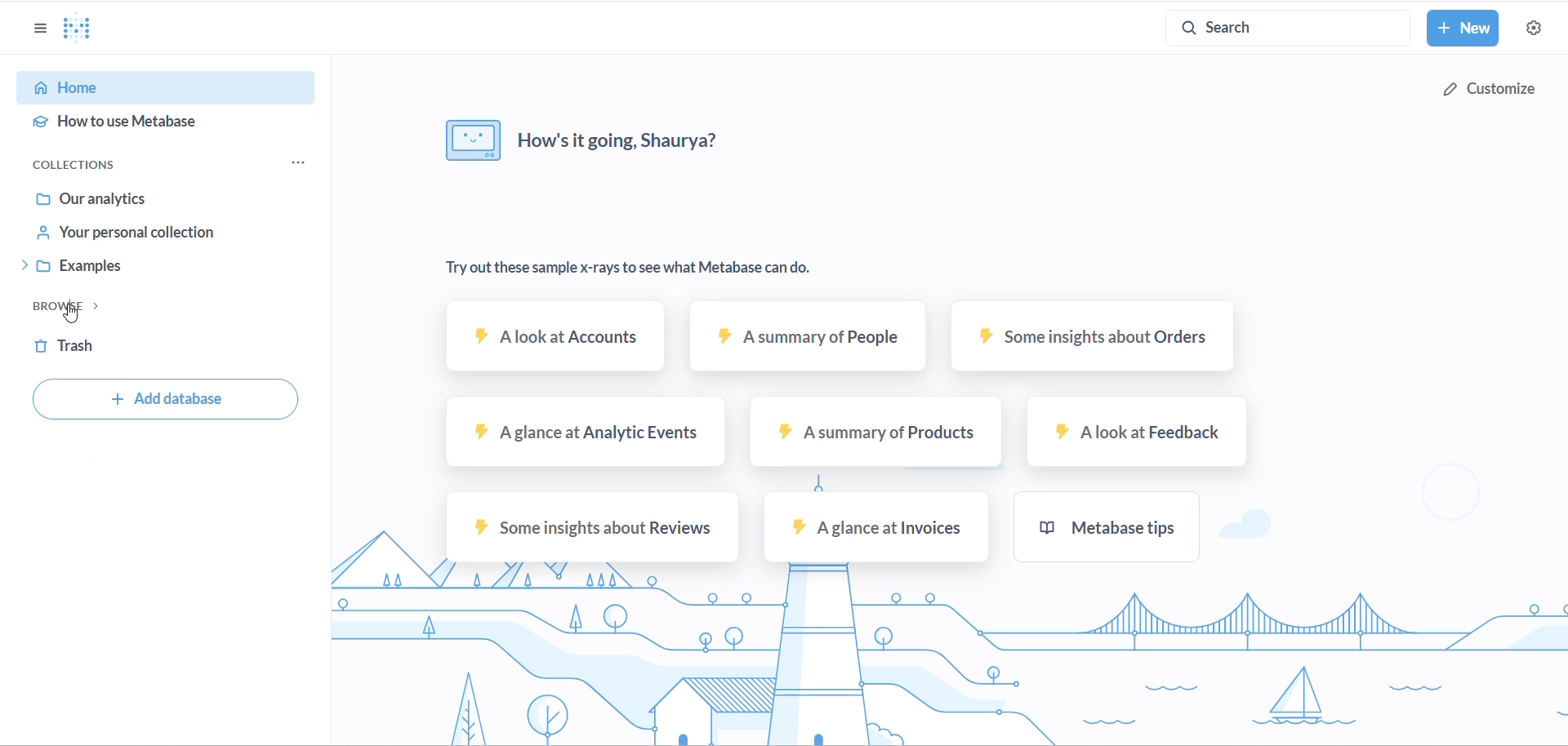  I want to click on A glance at Analytic events, so click(589, 437).